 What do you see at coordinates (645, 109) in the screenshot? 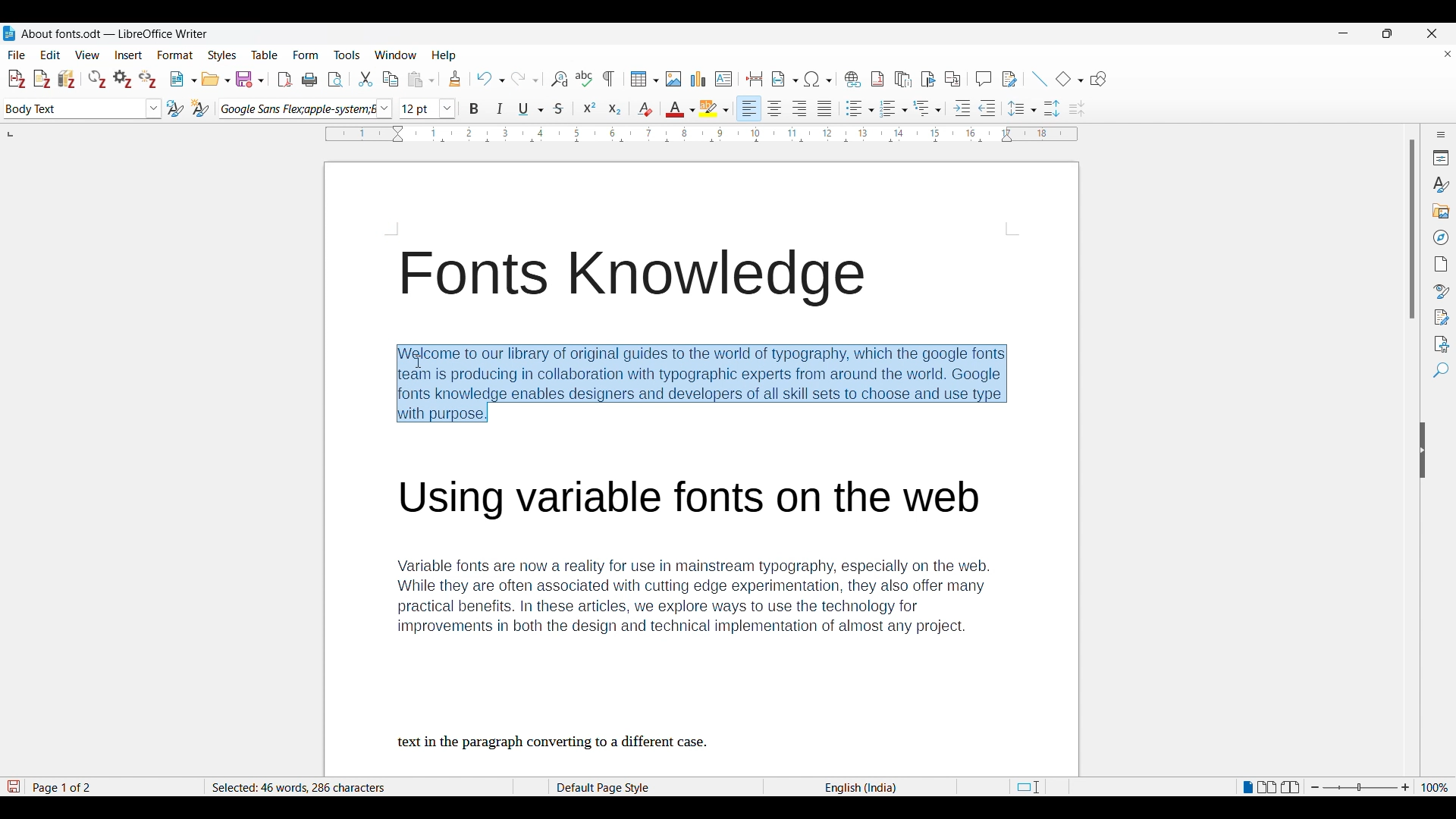
I see `Clear direct formatting ` at bounding box center [645, 109].